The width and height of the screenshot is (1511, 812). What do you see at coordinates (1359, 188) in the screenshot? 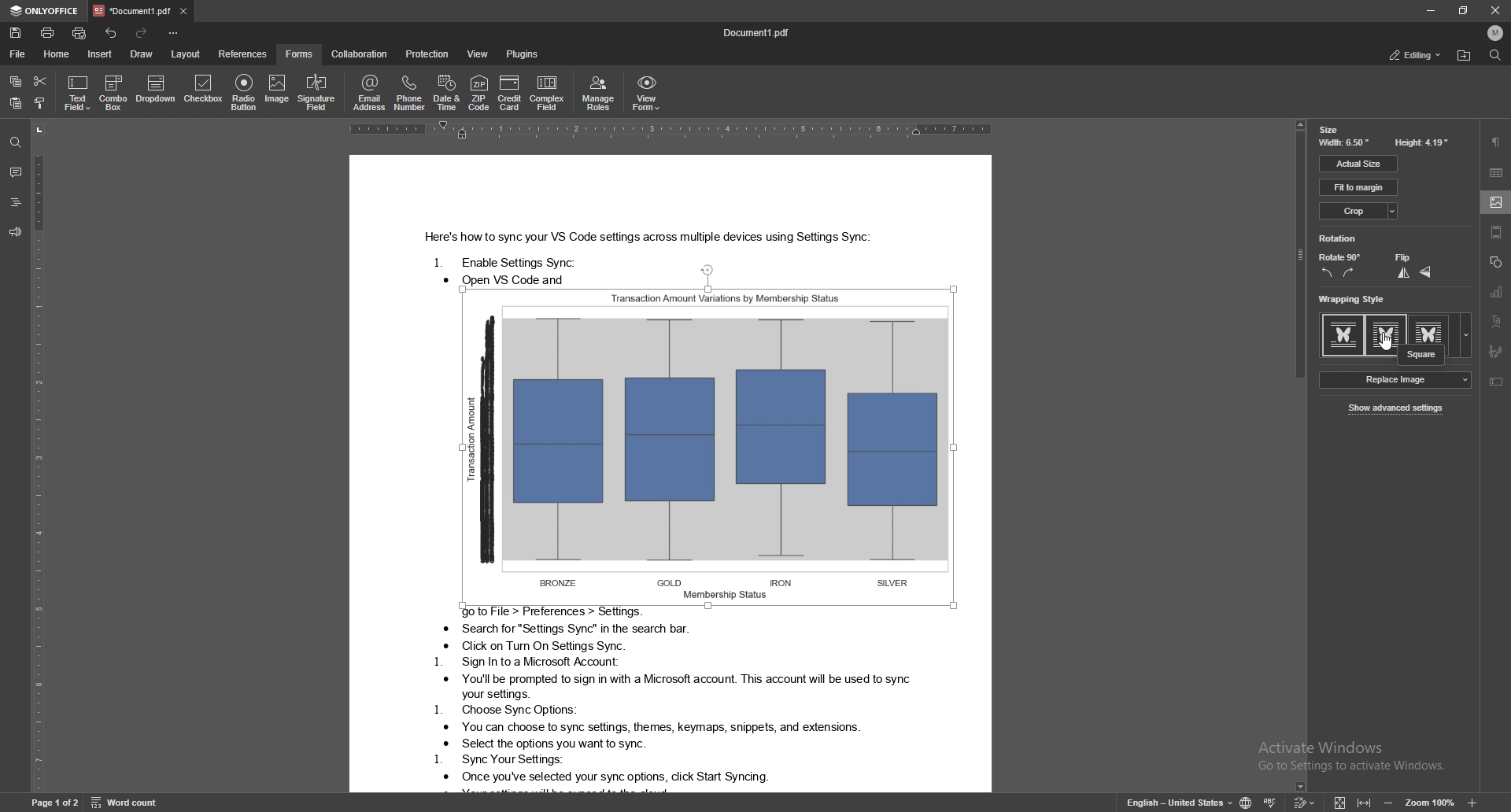
I see `fit to margin` at bounding box center [1359, 188].